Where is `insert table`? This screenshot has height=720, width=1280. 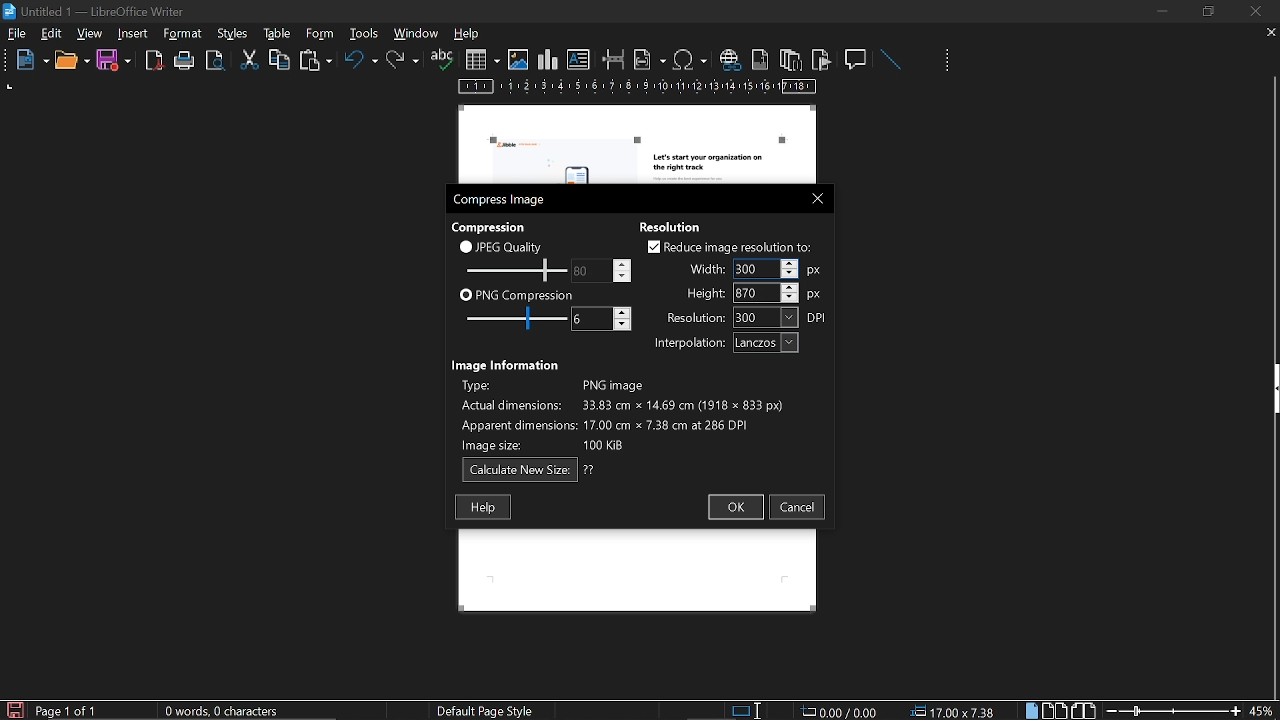
insert table is located at coordinates (482, 60).